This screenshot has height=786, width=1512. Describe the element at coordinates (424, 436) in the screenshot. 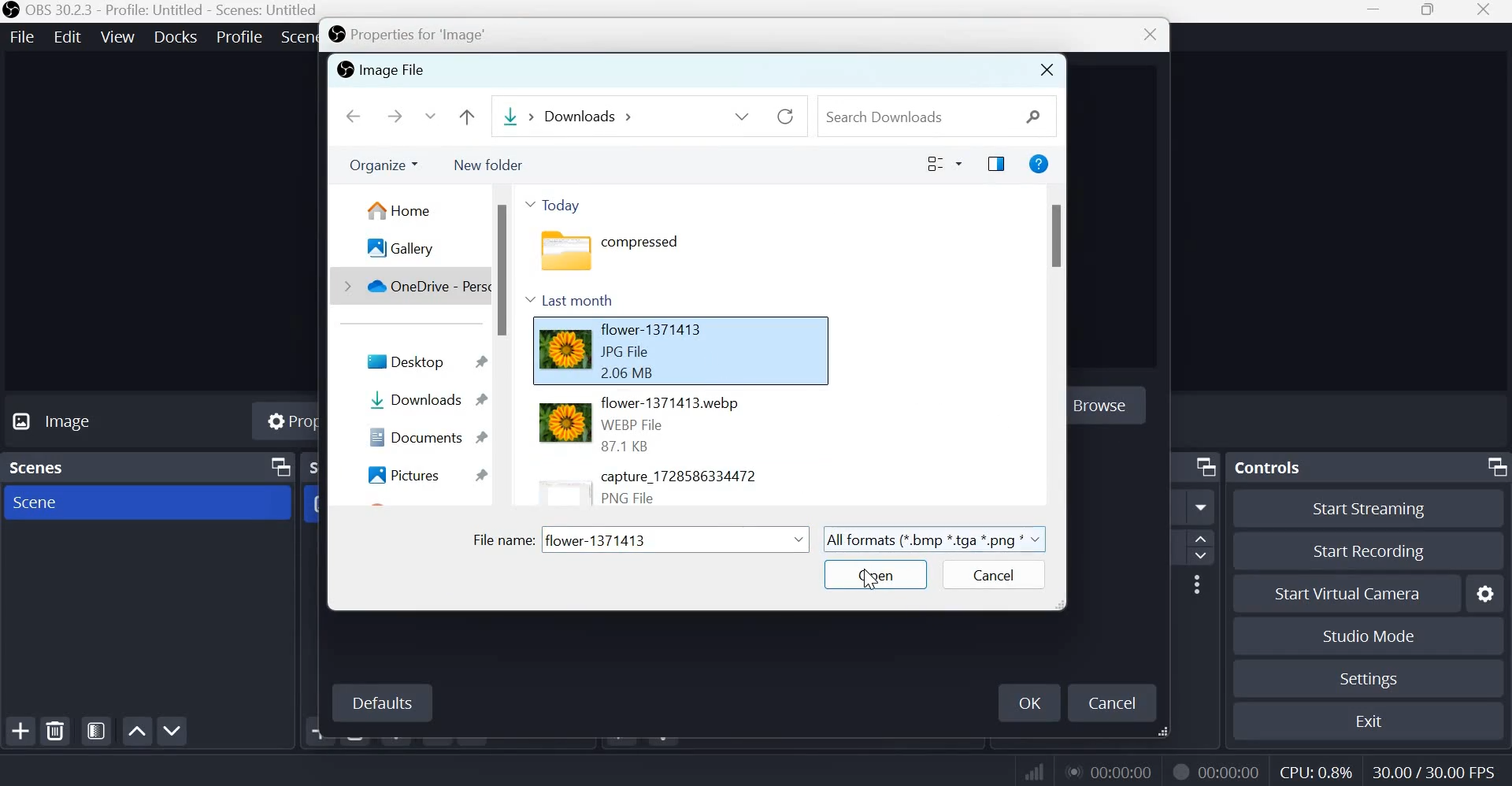

I see `Documents` at that location.